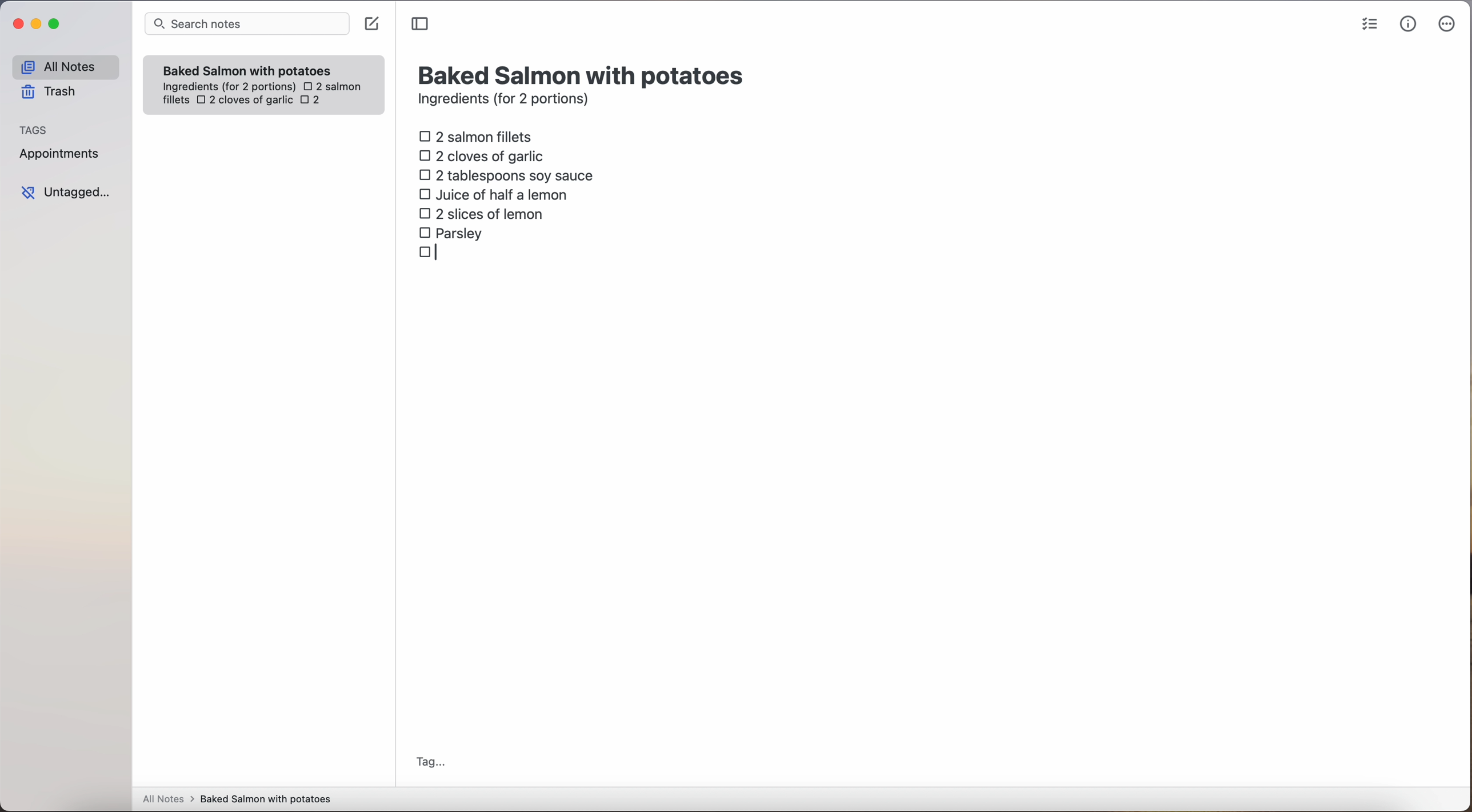  What do you see at coordinates (506, 175) in the screenshot?
I see `2 tablespoons soy sauce` at bounding box center [506, 175].